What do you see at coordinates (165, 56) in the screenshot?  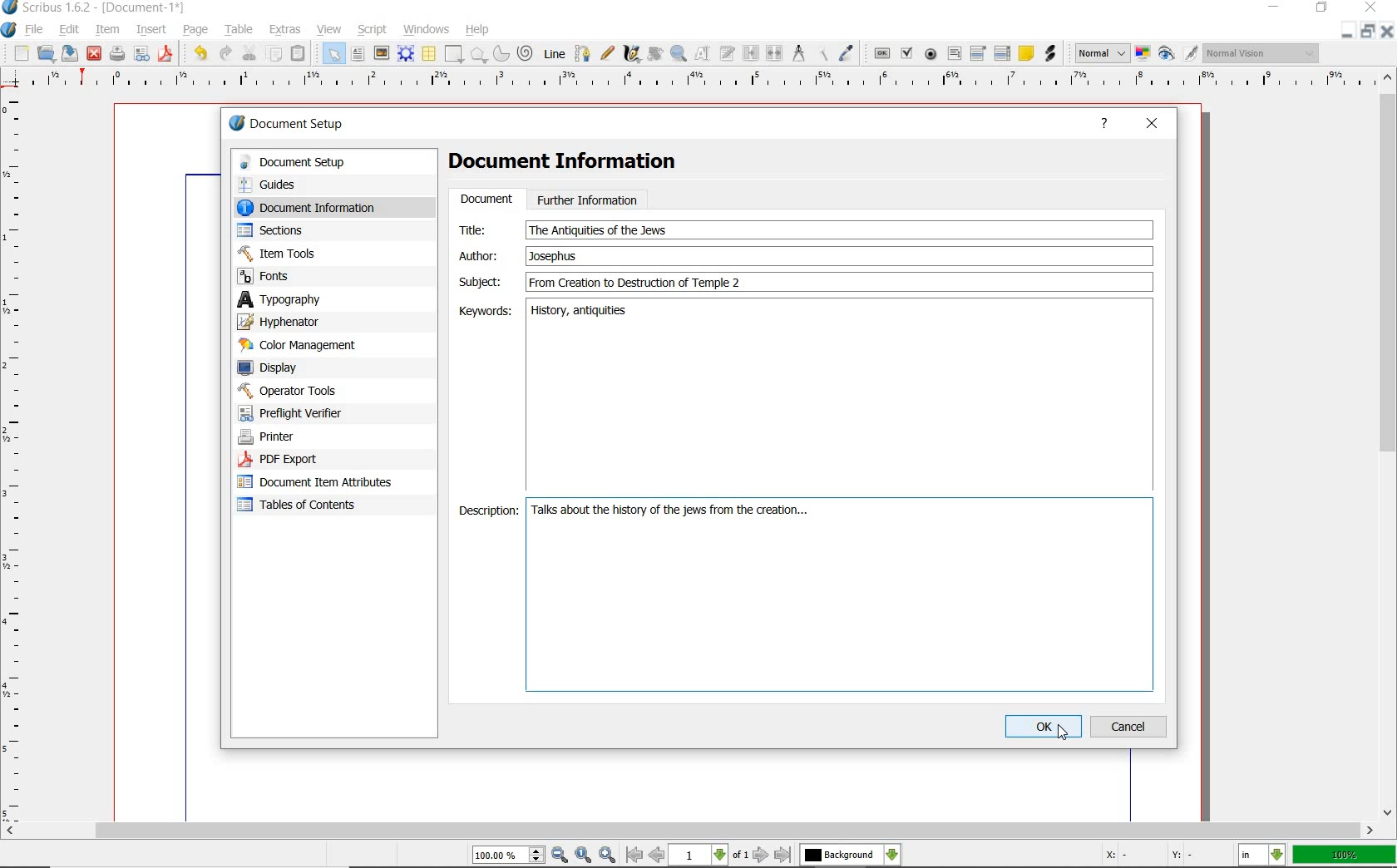 I see `save as pdf` at bounding box center [165, 56].